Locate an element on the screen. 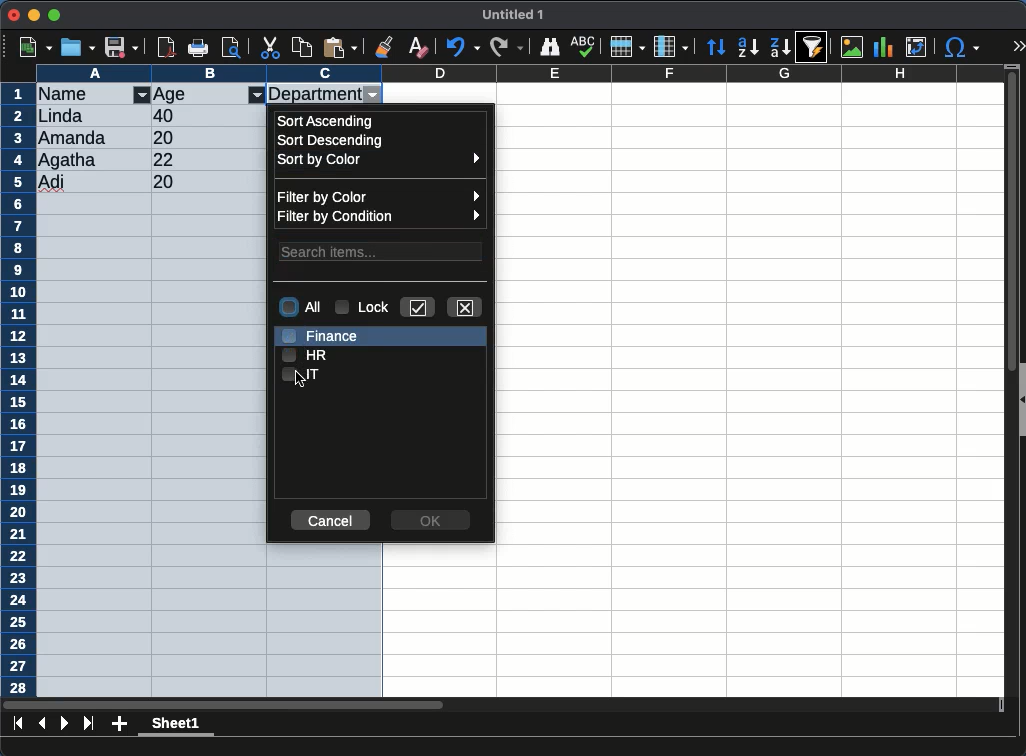 This screenshot has height=756, width=1026. sort is located at coordinates (718, 47).